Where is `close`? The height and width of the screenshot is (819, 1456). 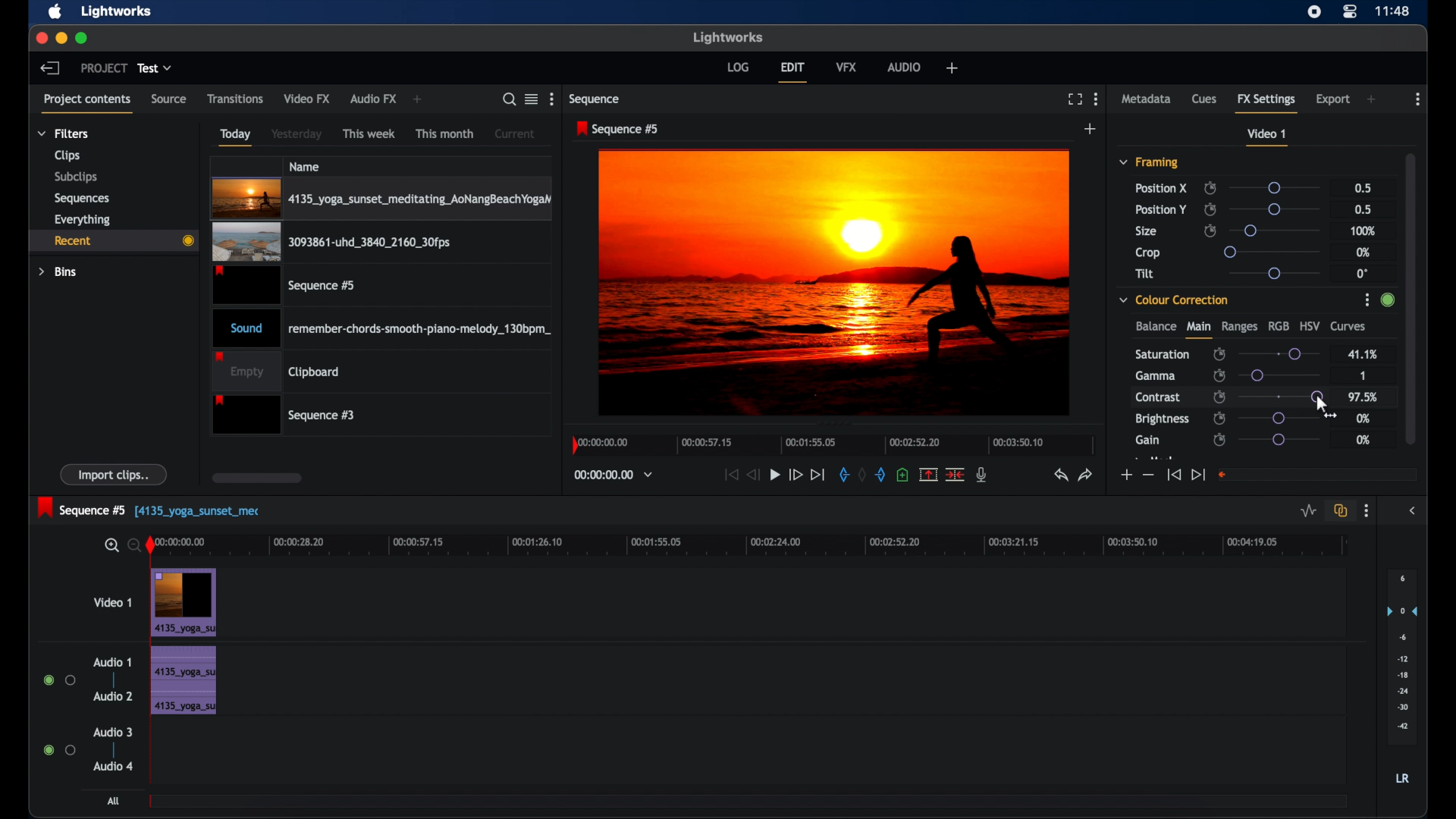 close is located at coordinates (38, 38).